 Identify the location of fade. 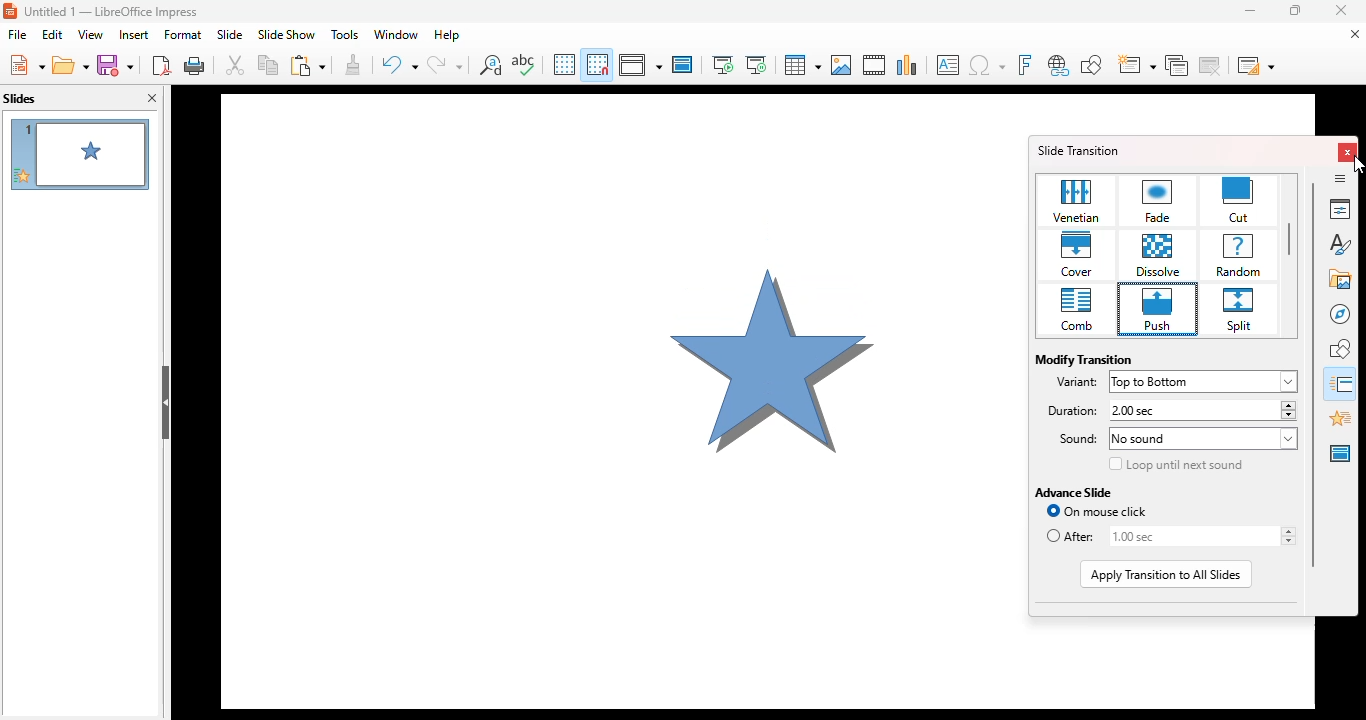
(1159, 201).